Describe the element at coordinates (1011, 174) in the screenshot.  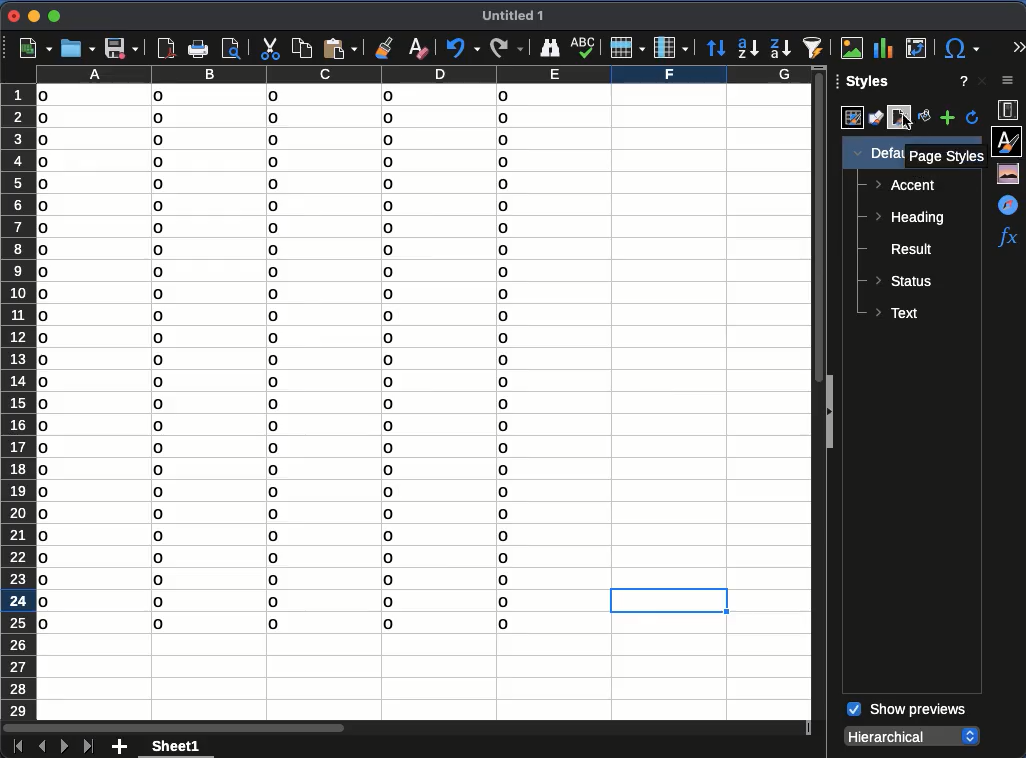
I see `gallery` at that location.